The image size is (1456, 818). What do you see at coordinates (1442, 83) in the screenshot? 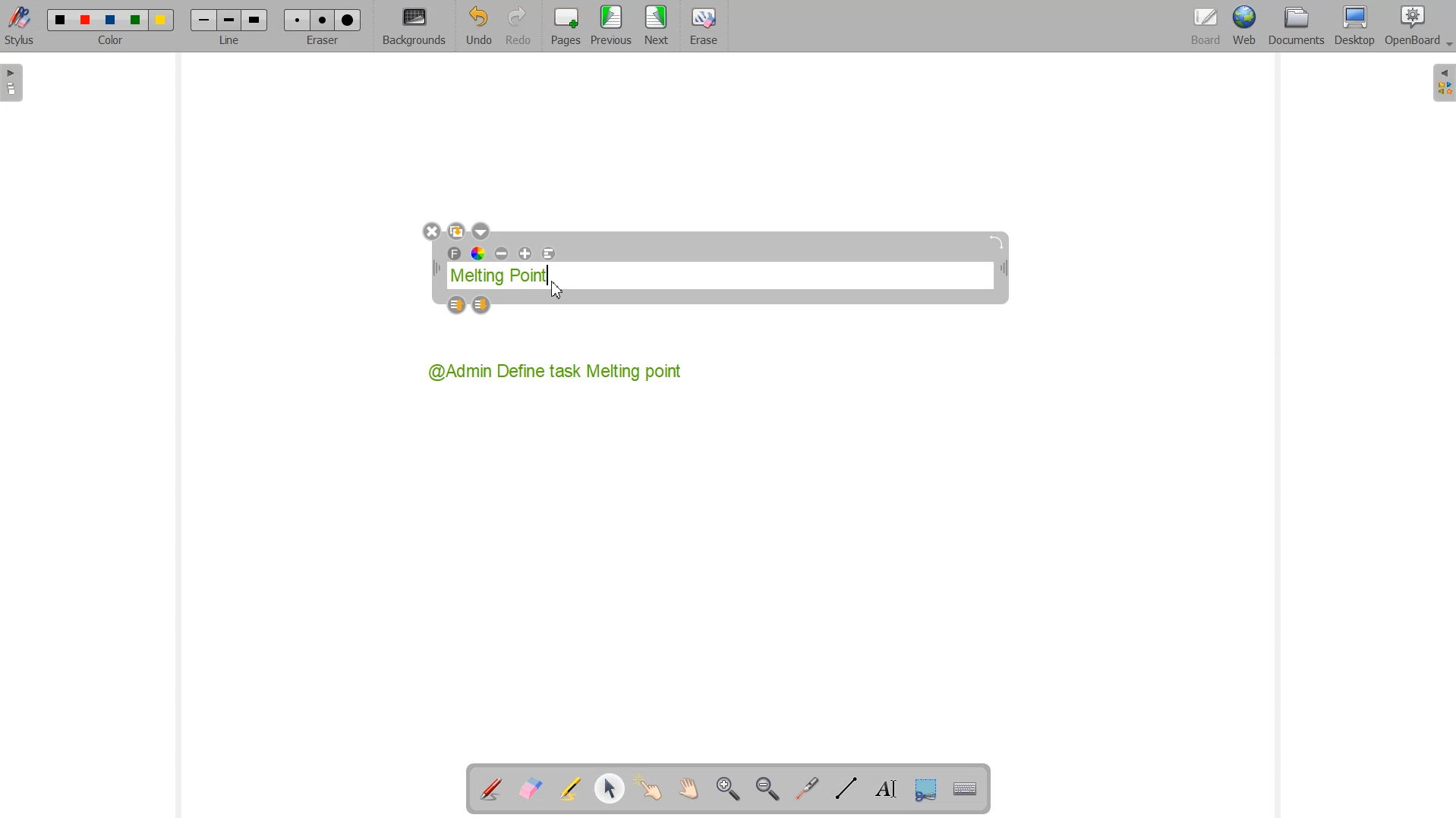
I see `Sidebar` at bounding box center [1442, 83].